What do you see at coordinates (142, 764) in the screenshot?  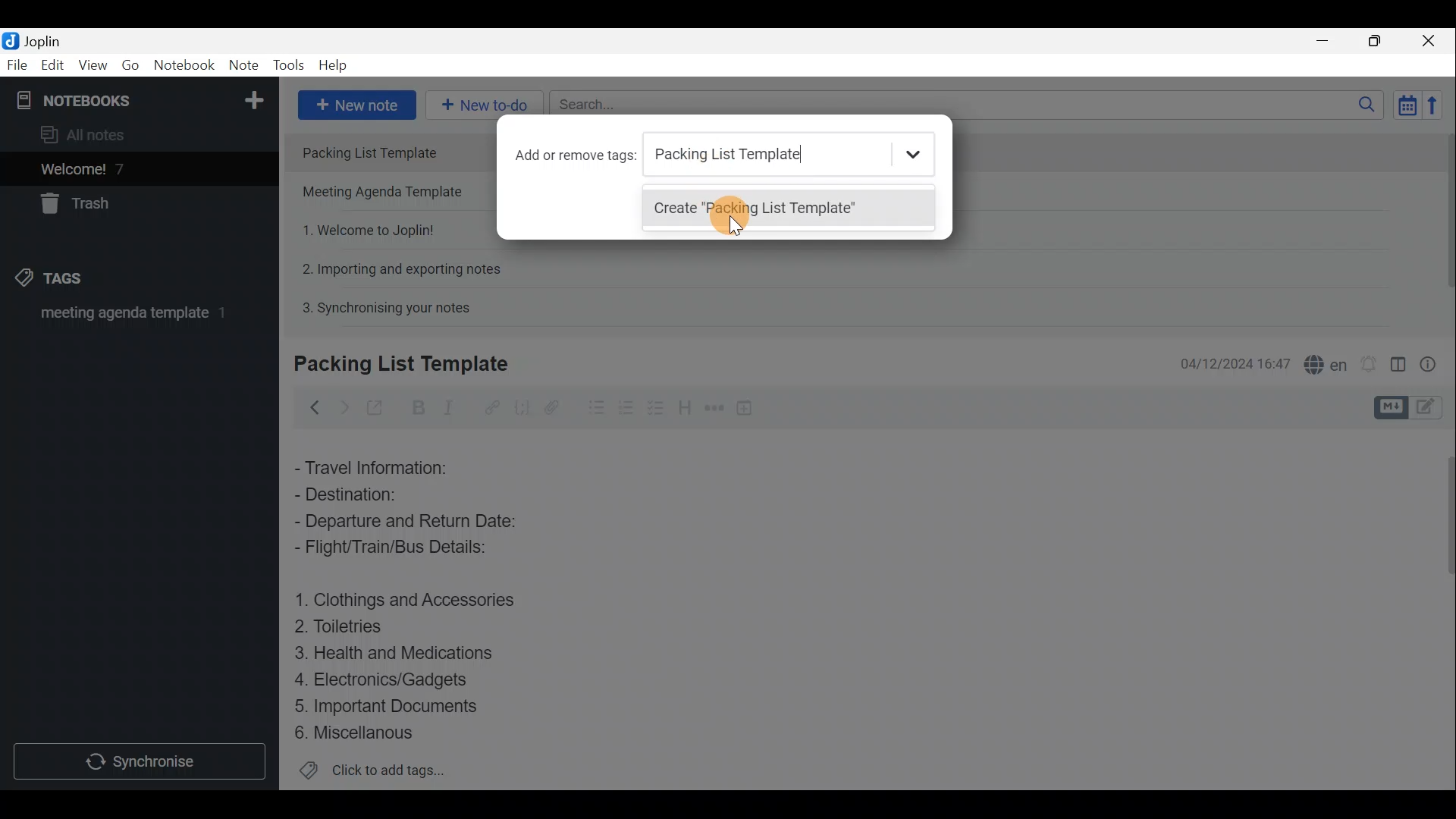 I see `Synchronise` at bounding box center [142, 764].